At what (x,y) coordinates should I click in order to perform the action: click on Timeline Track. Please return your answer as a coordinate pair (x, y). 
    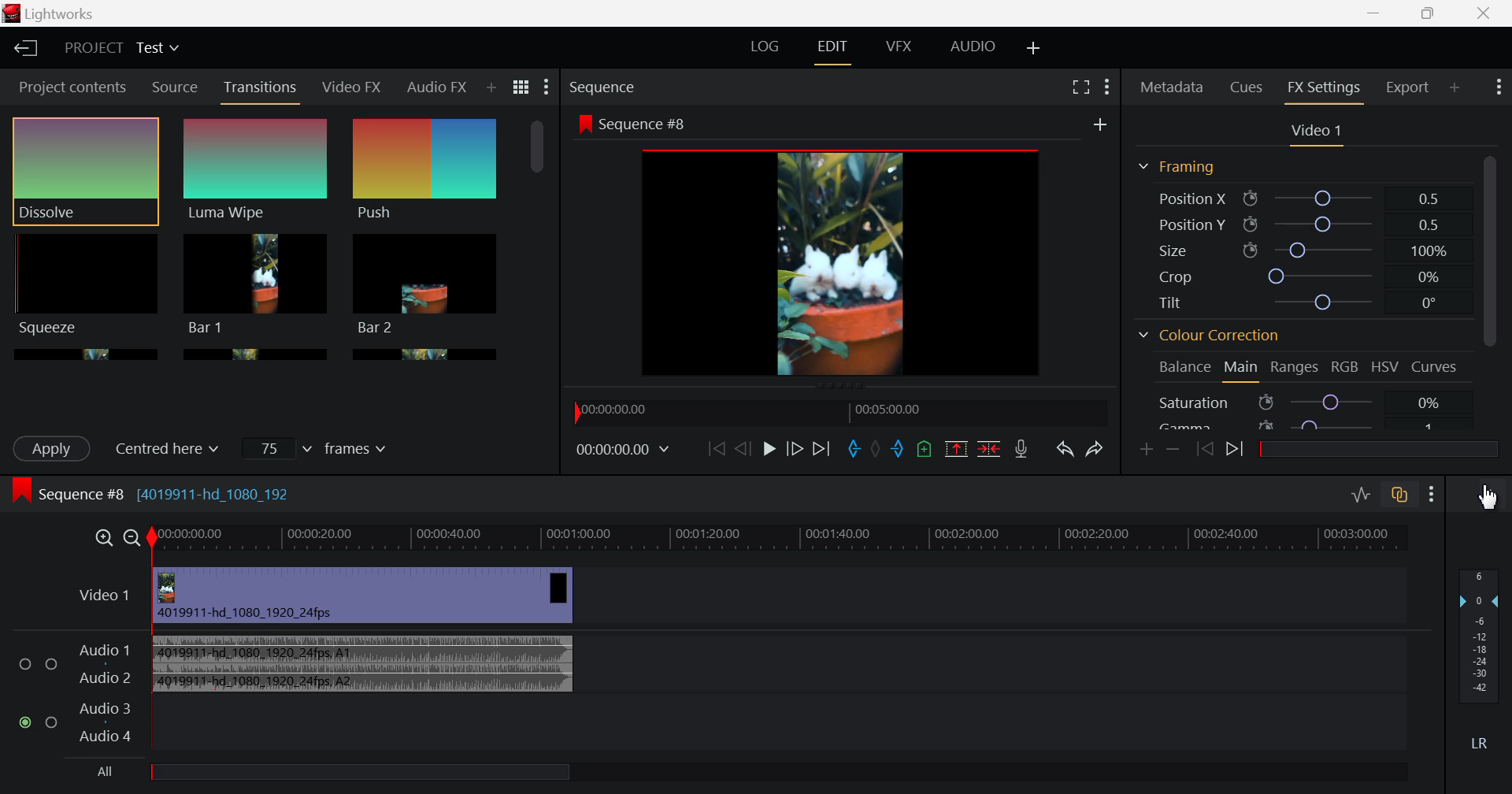
    Looking at the image, I should click on (781, 538).